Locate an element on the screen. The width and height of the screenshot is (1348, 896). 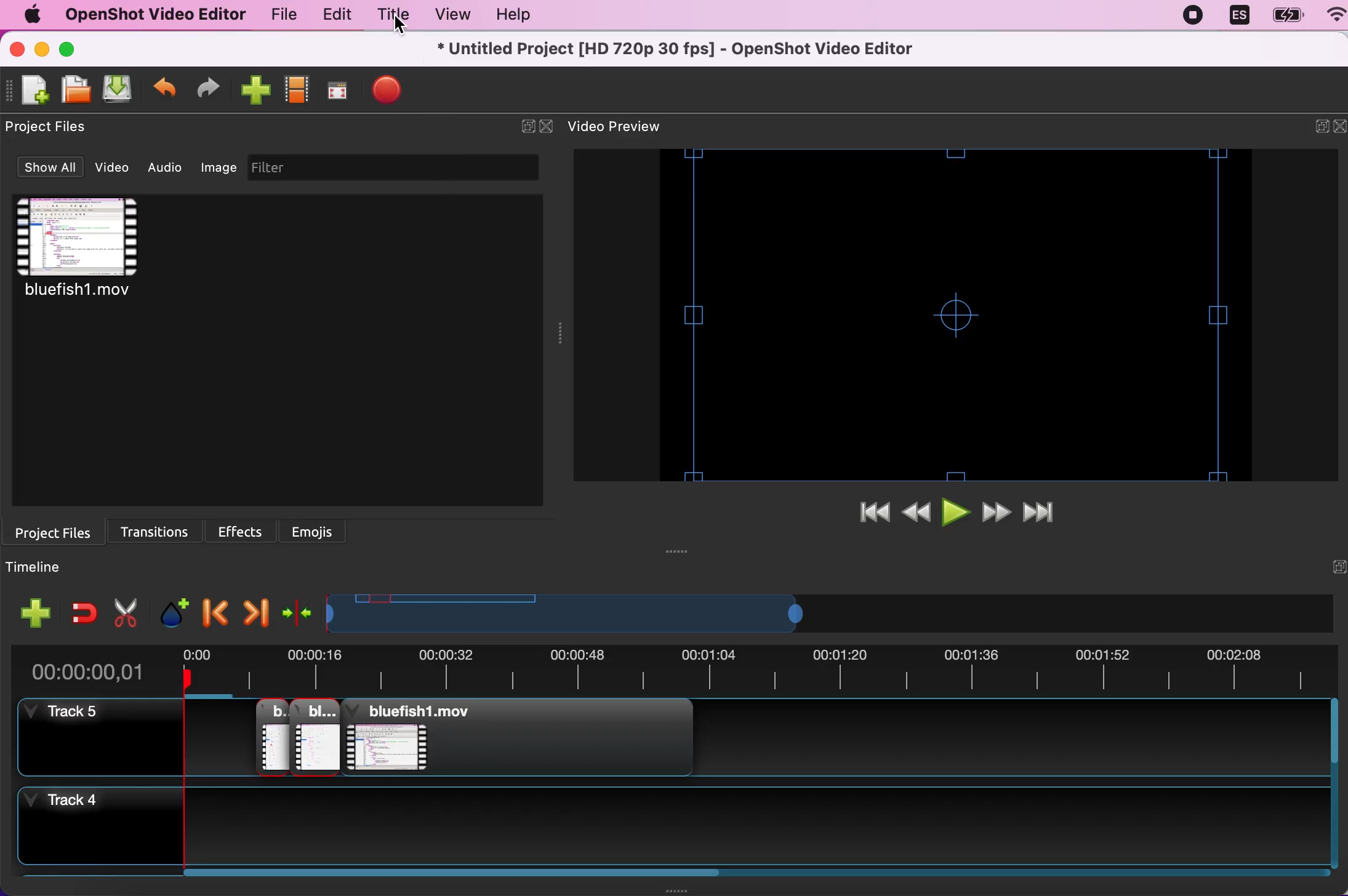
export video is located at coordinates (388, 92).